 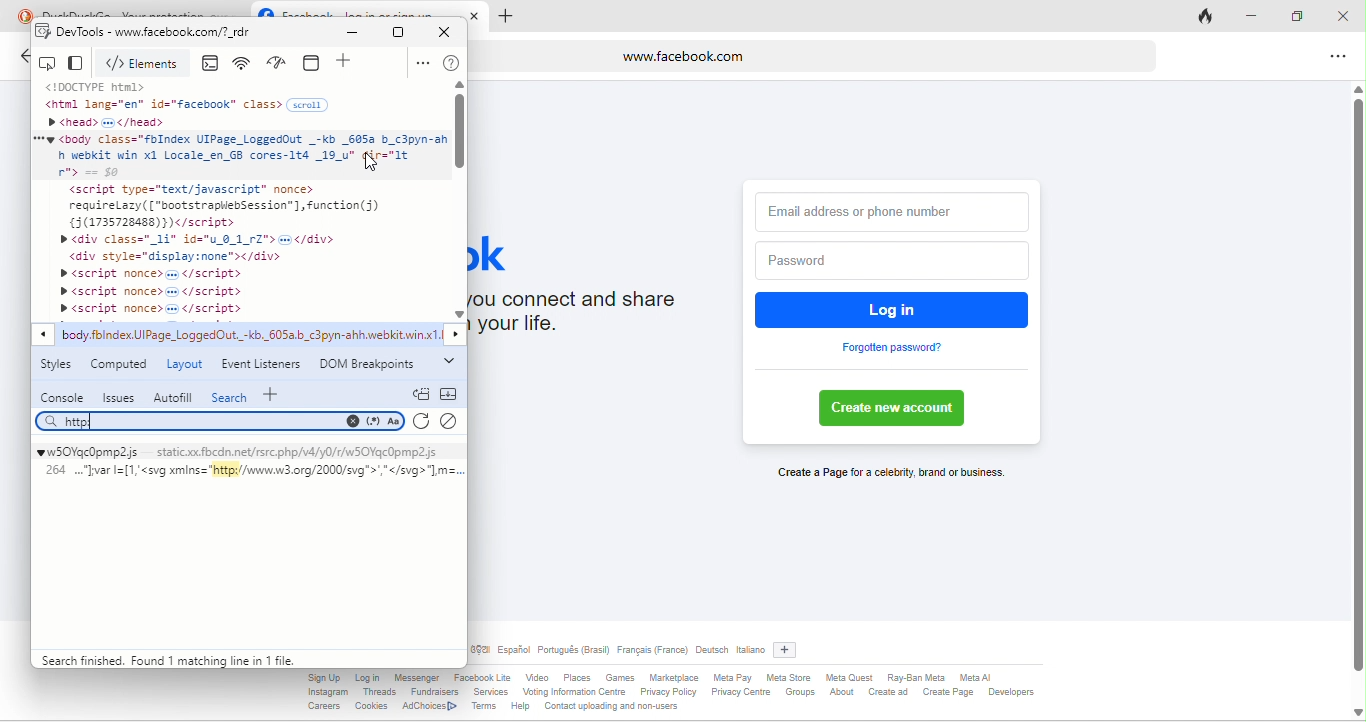 What do you see at coordinates (259, 363) in the screenshot?
I see `event listeners` at bounding box center [259, 363].